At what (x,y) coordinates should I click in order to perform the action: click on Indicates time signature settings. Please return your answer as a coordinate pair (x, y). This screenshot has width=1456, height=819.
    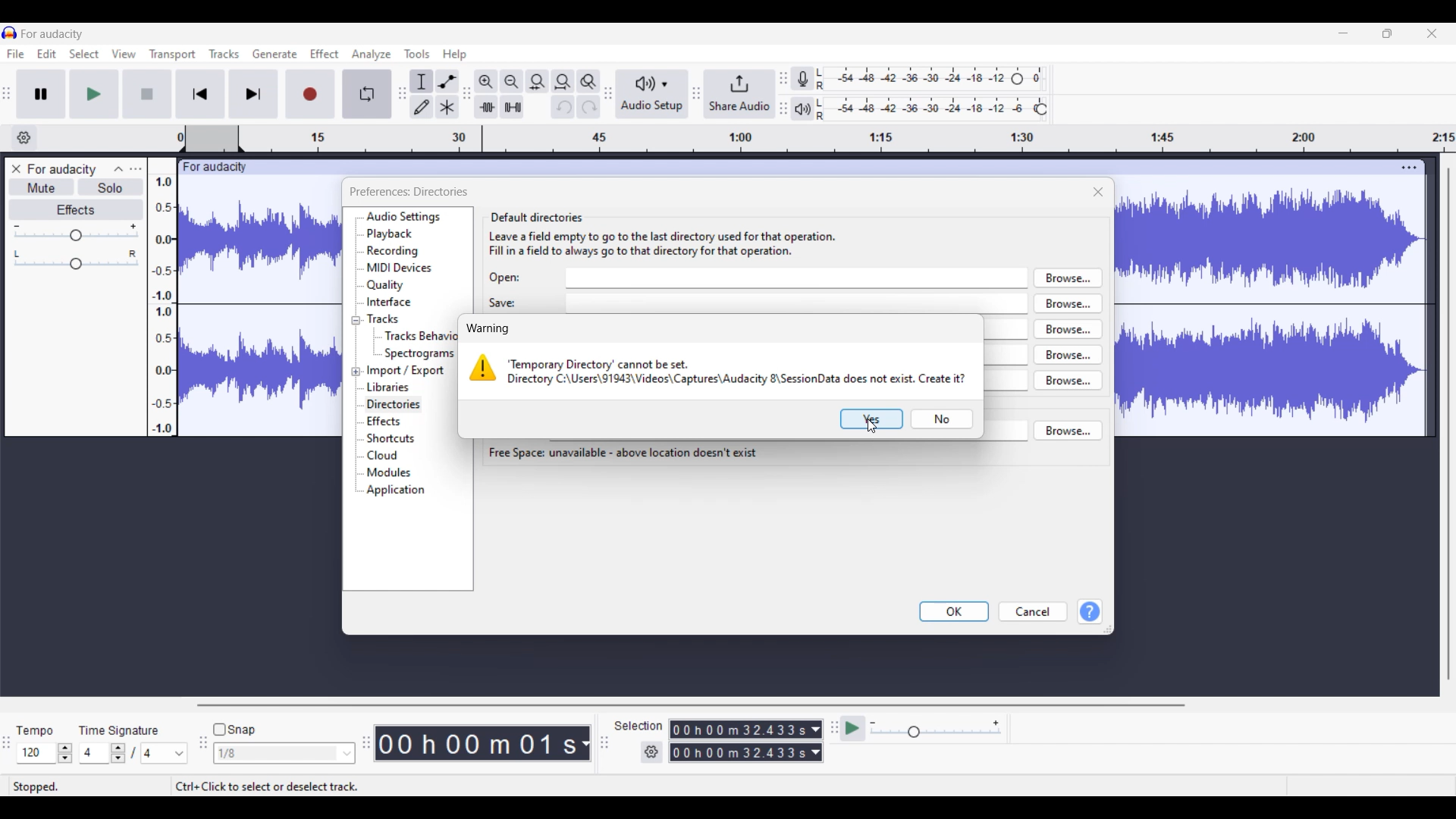
    Looking at the image, I should click on (119, 730).